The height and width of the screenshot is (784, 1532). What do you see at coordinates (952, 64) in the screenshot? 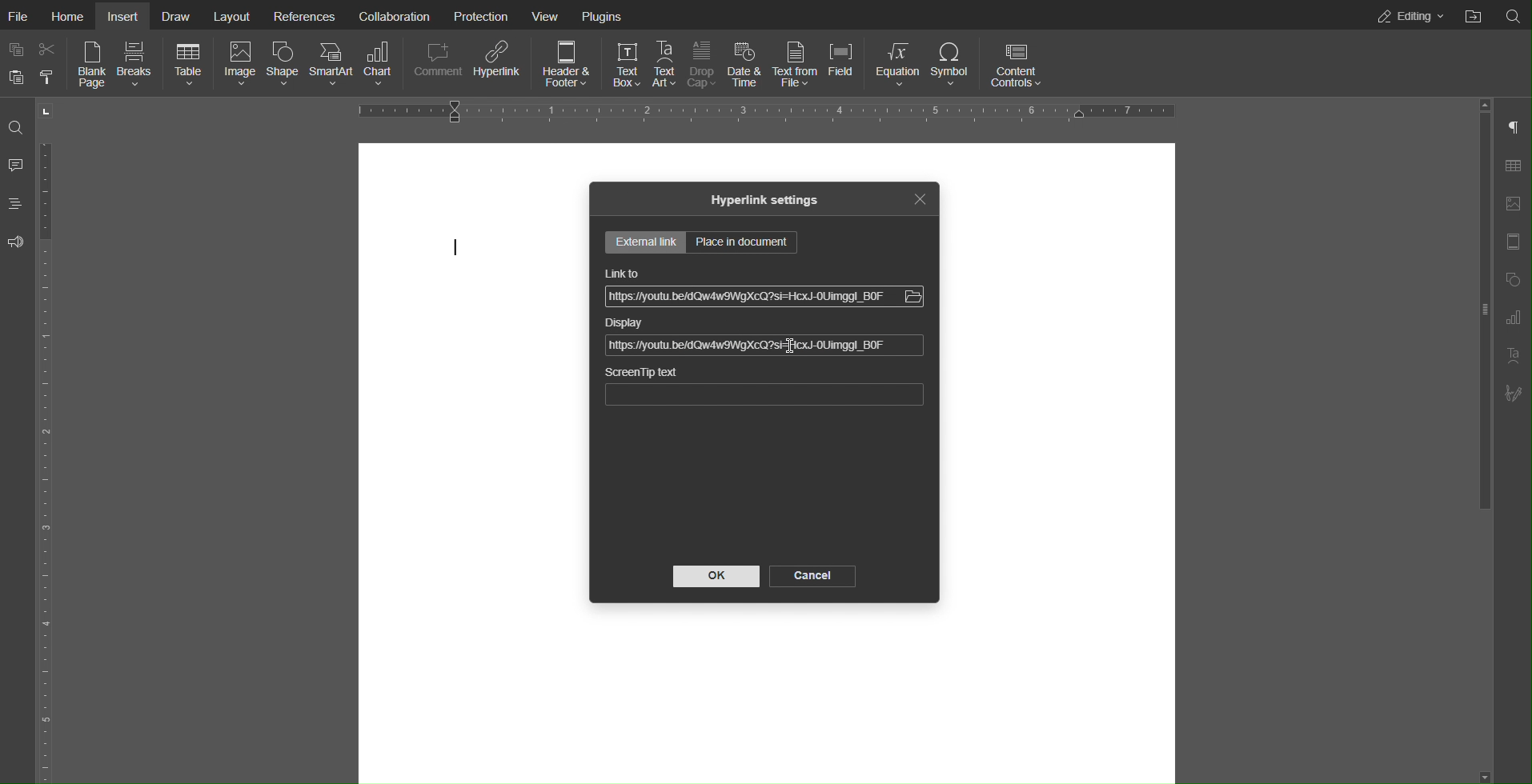
I see `Symbol` at bounding box center [952, 64].